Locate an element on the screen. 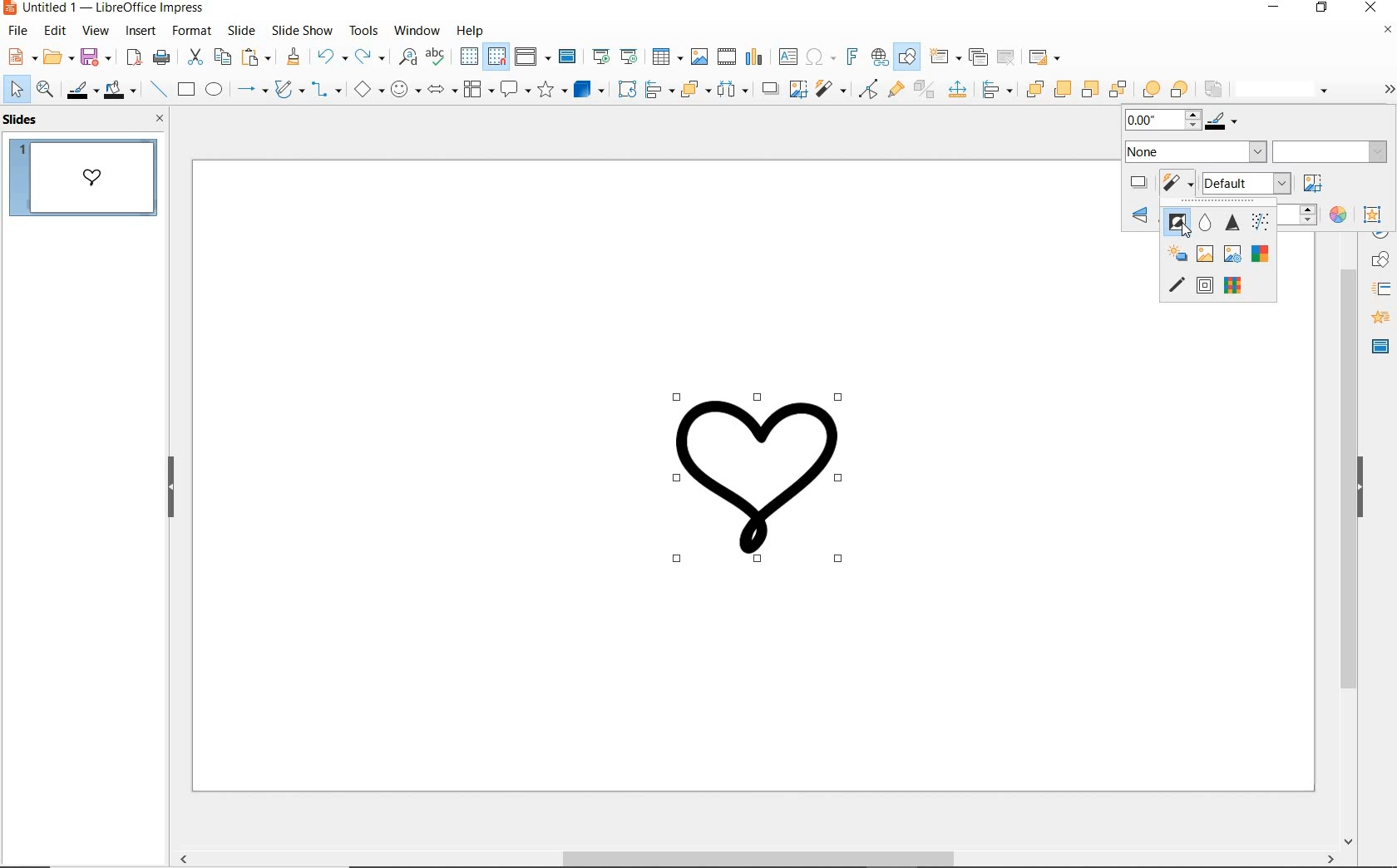 The height and width of the screenshot is (868, 1397). reverse is located at coordinates (1214, 89).